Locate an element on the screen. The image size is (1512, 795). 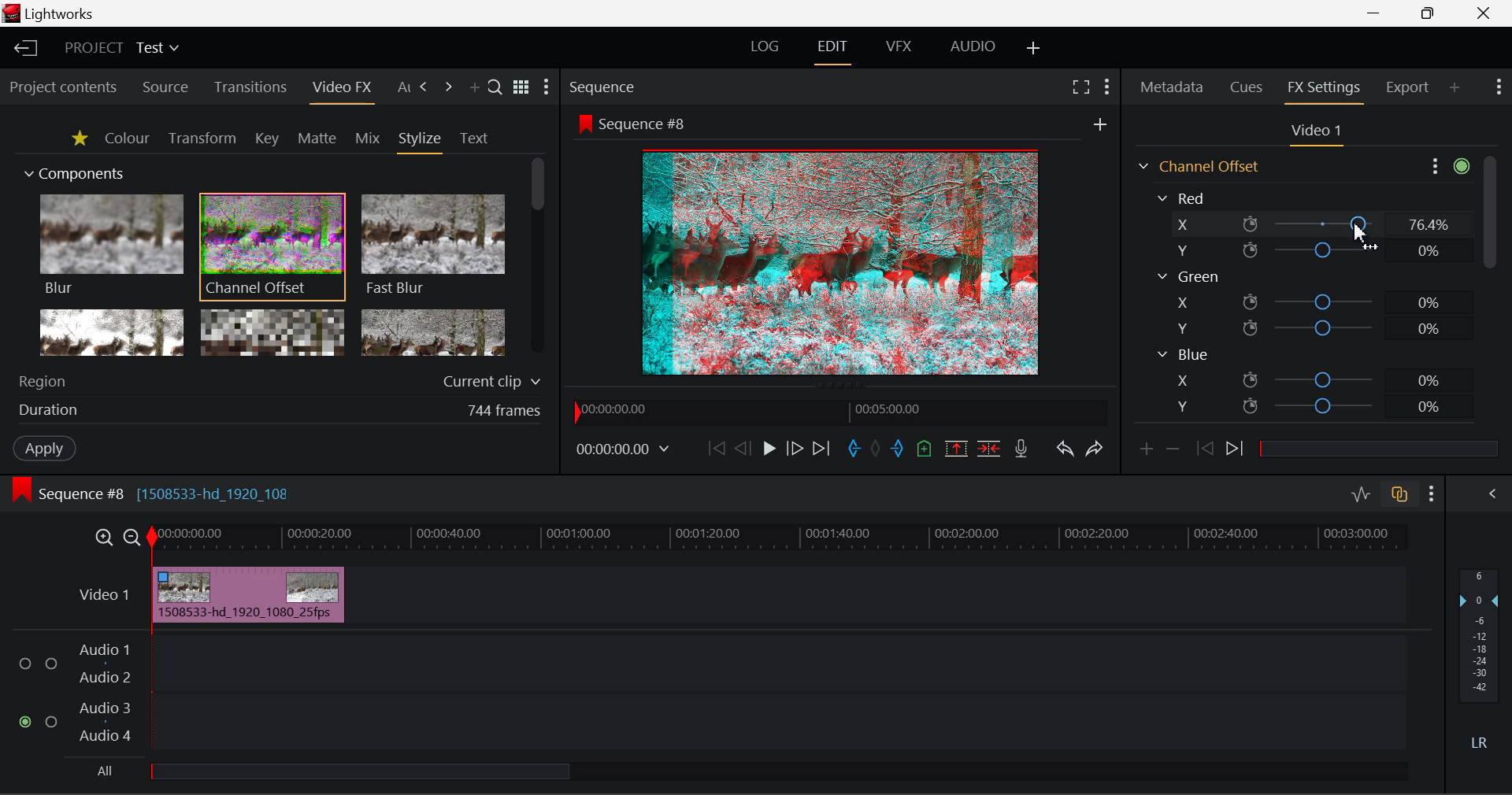
Minimize is located at coordinates (1431, 13).